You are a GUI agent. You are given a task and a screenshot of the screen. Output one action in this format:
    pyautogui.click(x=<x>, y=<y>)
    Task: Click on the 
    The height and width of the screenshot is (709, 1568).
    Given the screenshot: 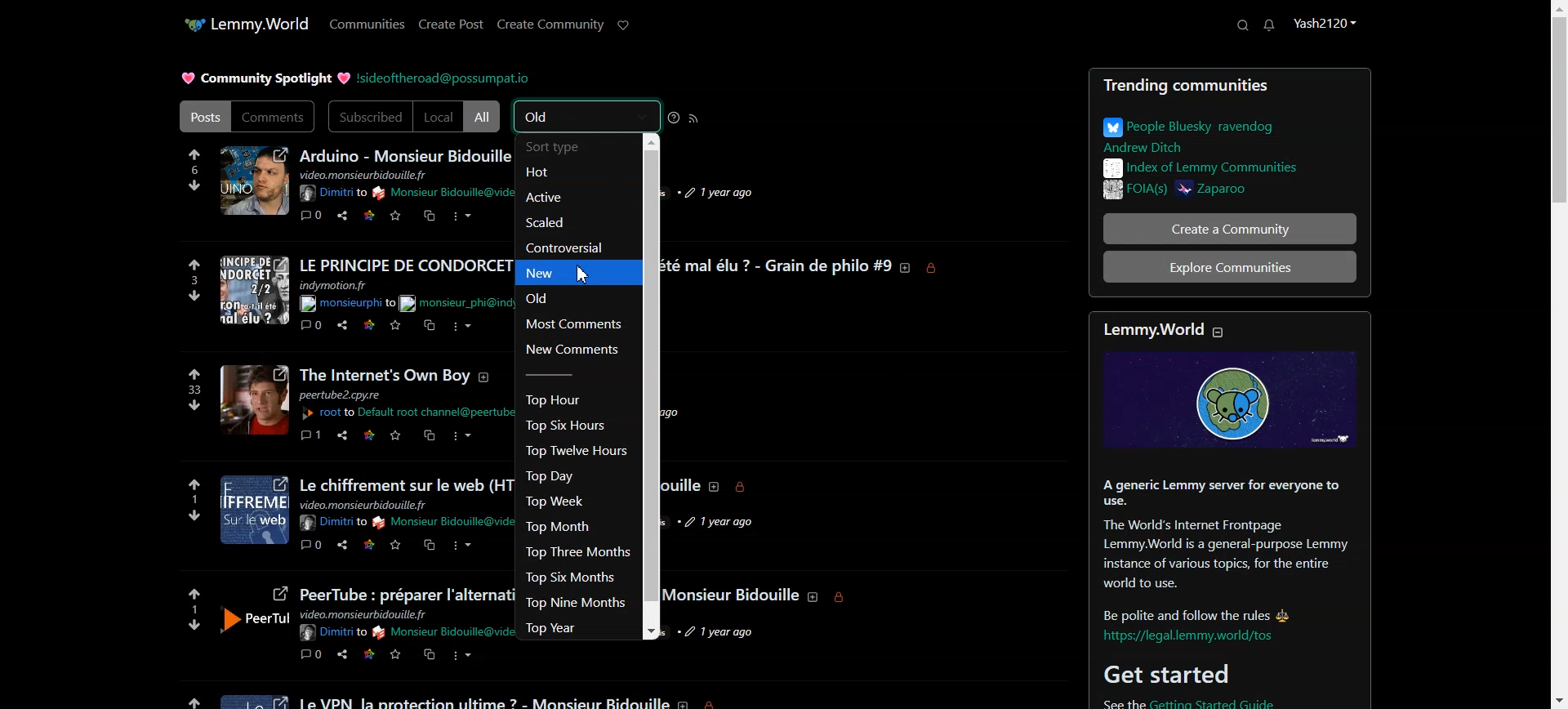 What is the action you would take?
    pyautogui.click(x=342, y=545)
    